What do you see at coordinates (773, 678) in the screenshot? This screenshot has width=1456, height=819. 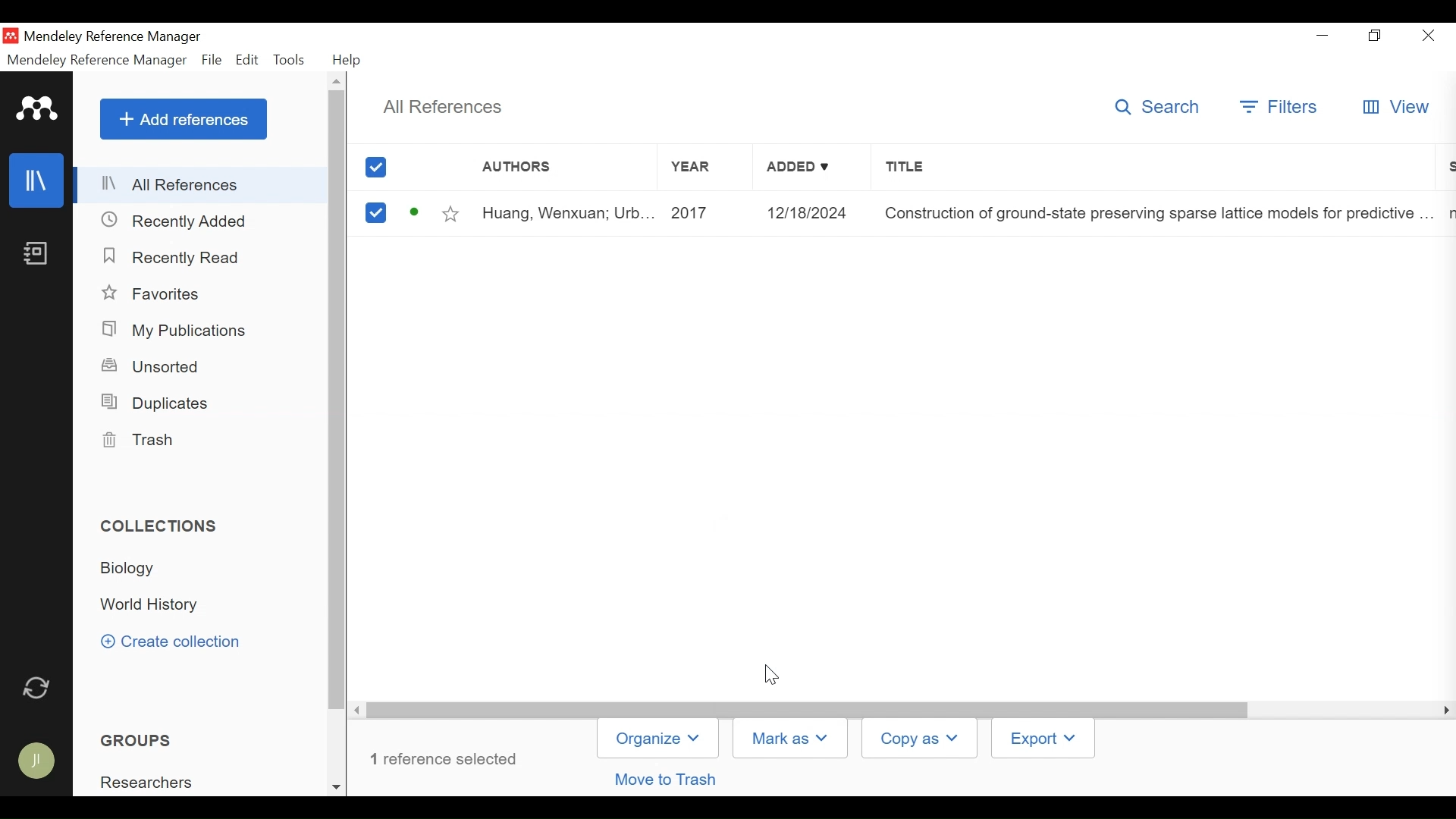 I see `Cursor` at bounding box center [773, 678].